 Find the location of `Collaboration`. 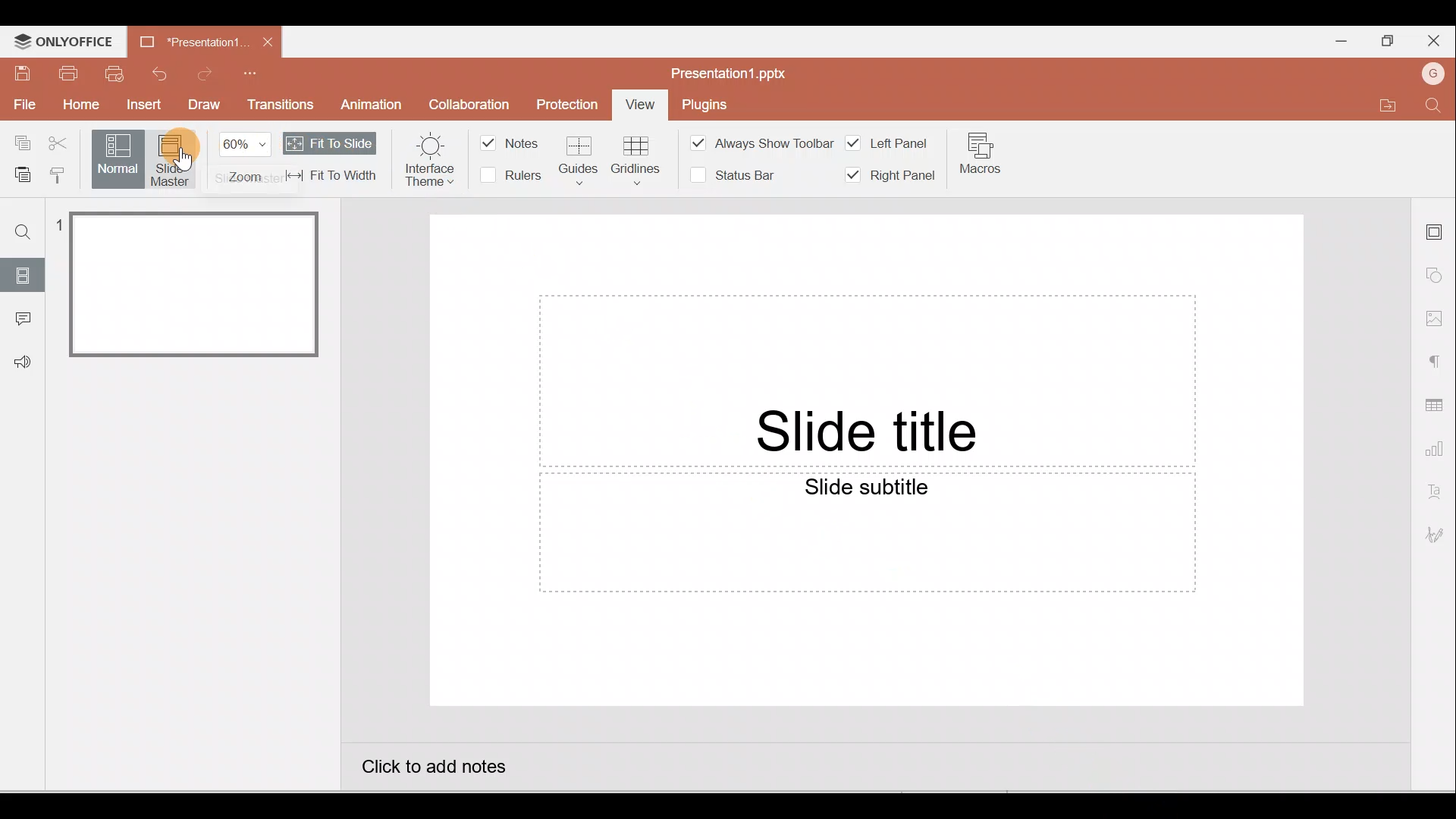

Collaboration is located at coordinates (478, 103).